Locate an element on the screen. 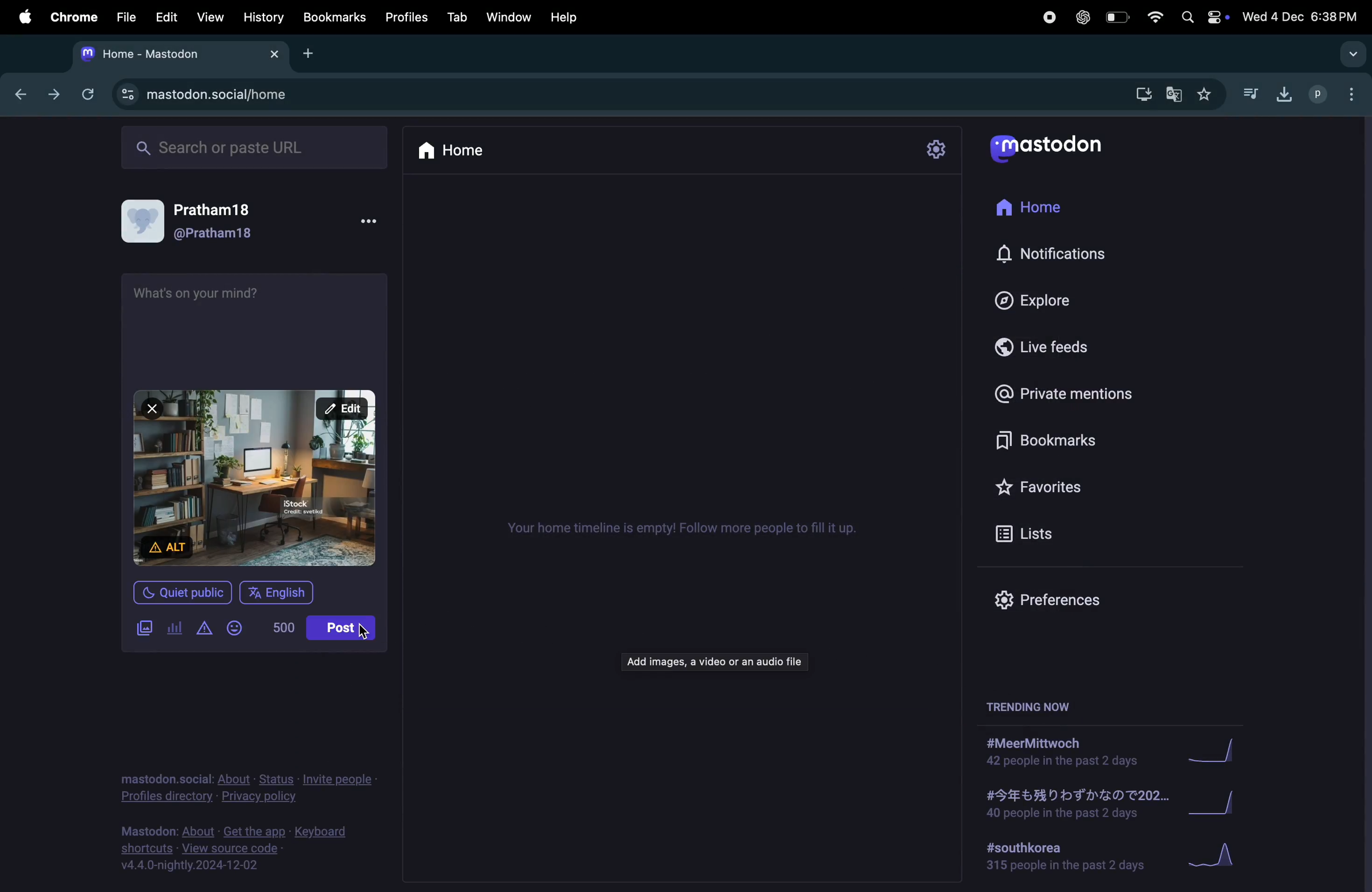 This screenshot has height=892, width=1372. Graph is located at coordinates (1222, 803).